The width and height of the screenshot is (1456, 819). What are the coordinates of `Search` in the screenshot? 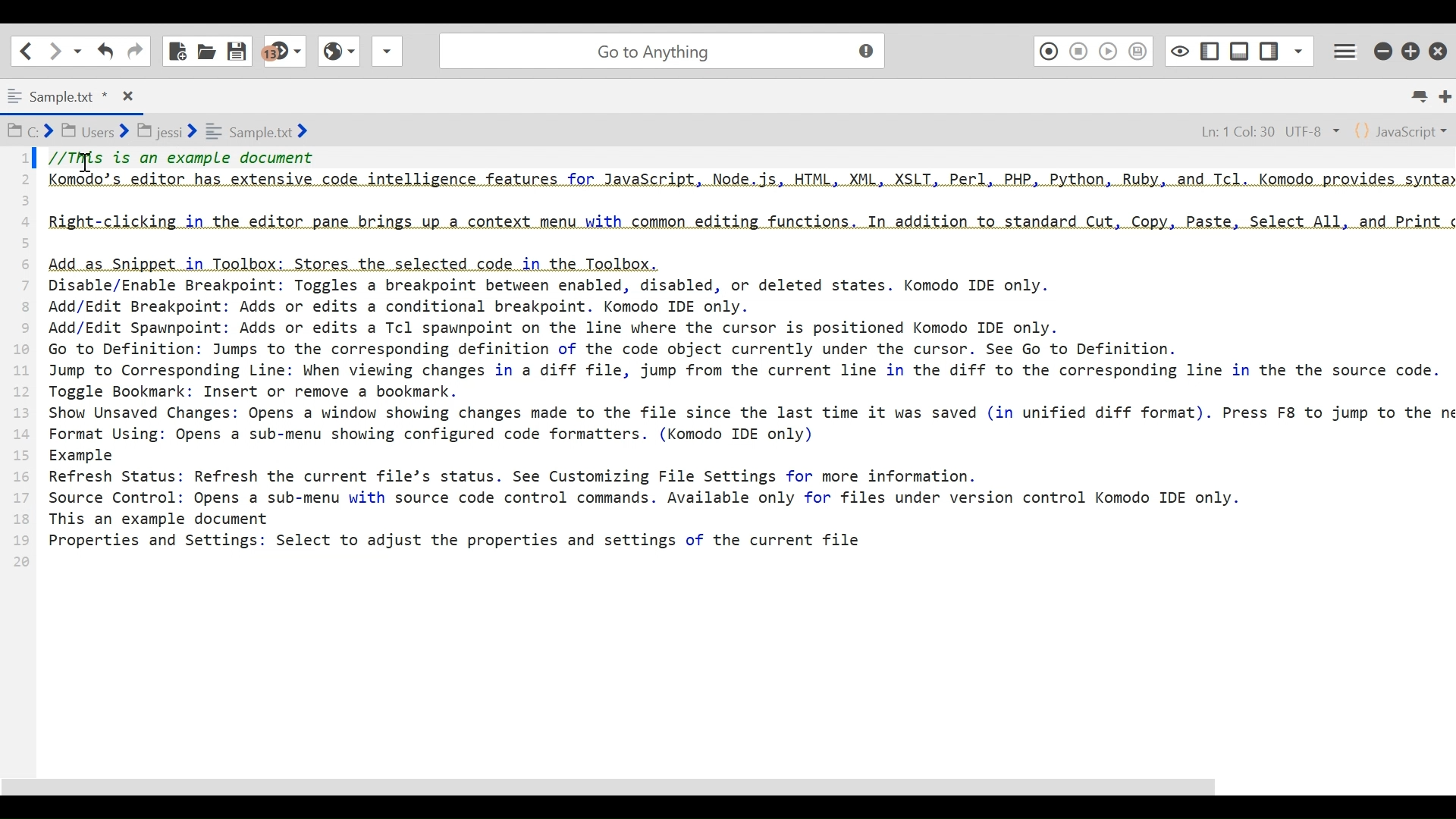 It's located at (659, 49).